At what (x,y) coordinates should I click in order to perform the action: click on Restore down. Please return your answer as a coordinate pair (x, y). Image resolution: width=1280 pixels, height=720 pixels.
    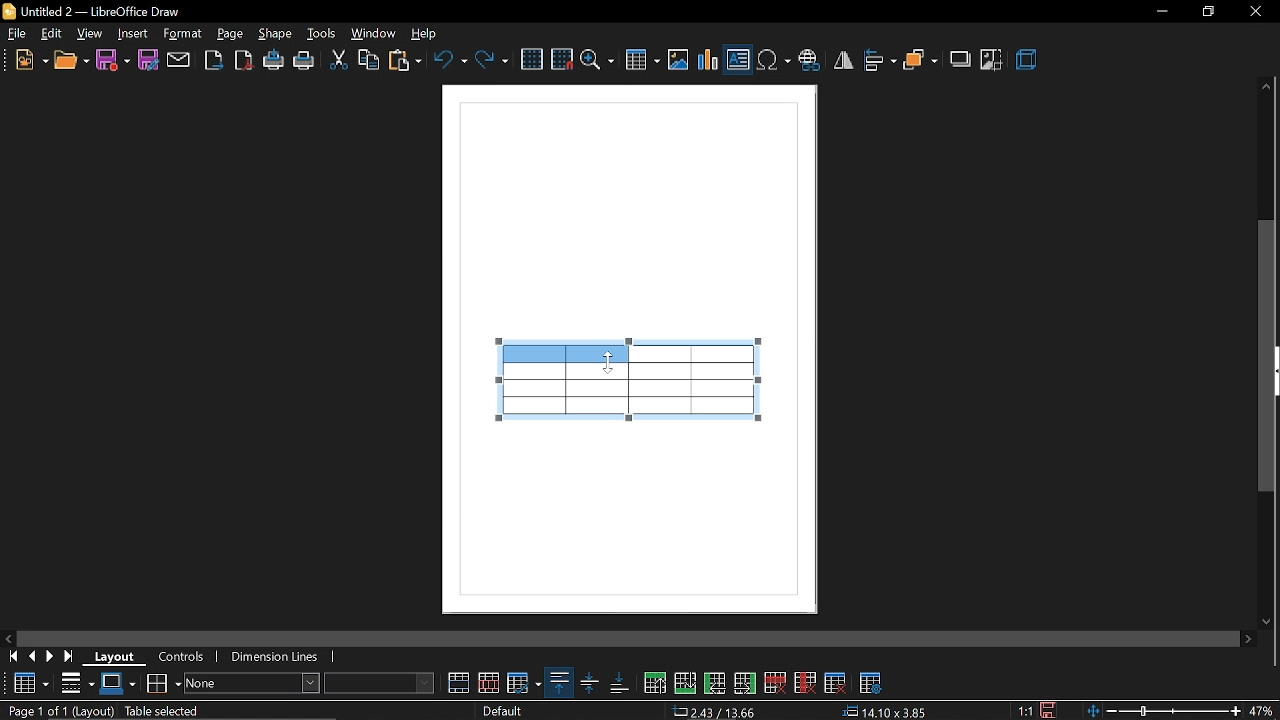
    Looking at the image, I should click on (1205, 13).